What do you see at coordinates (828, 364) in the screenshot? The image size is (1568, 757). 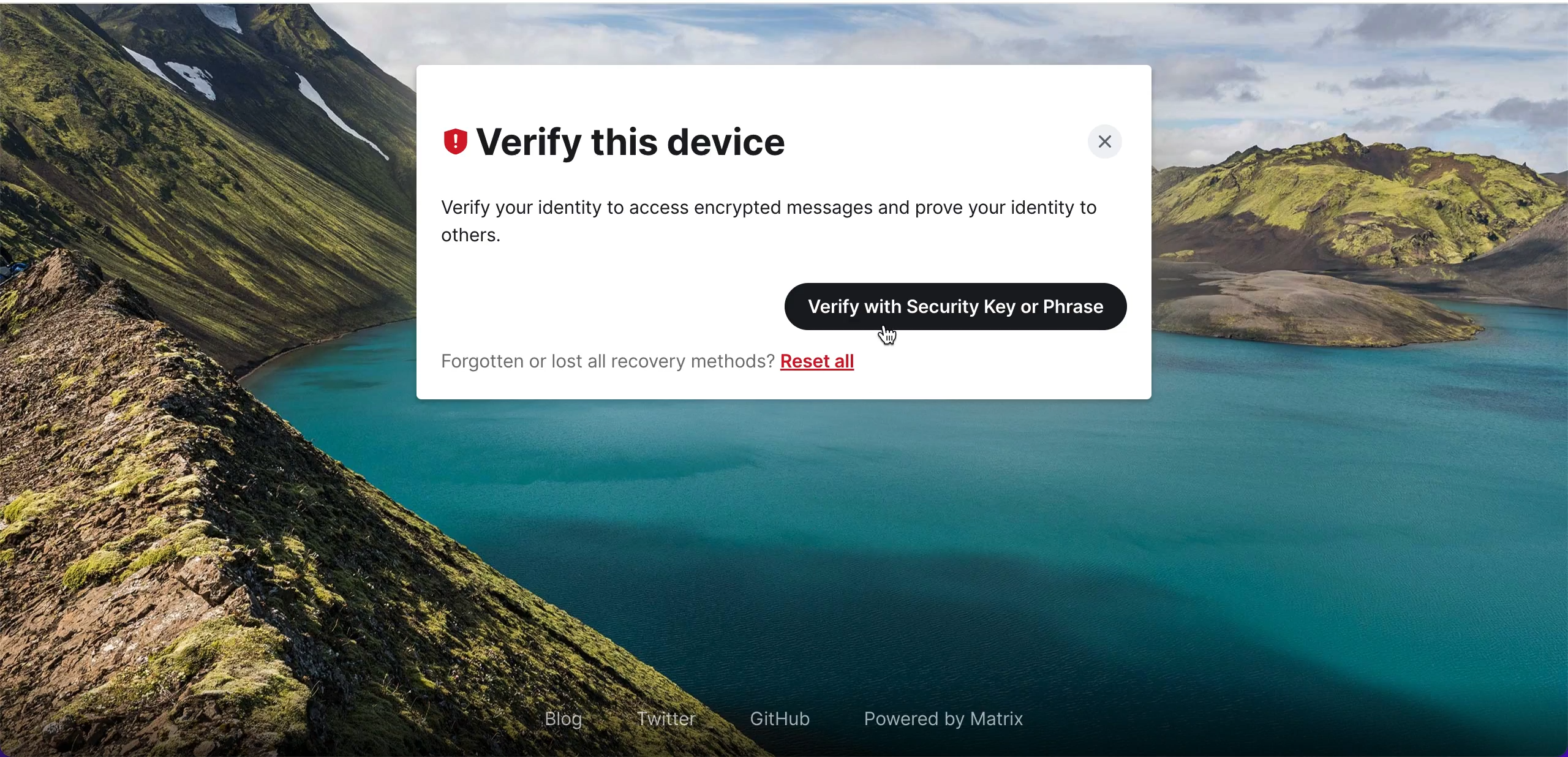 I see `reset all` at bounding box center [828, 364].